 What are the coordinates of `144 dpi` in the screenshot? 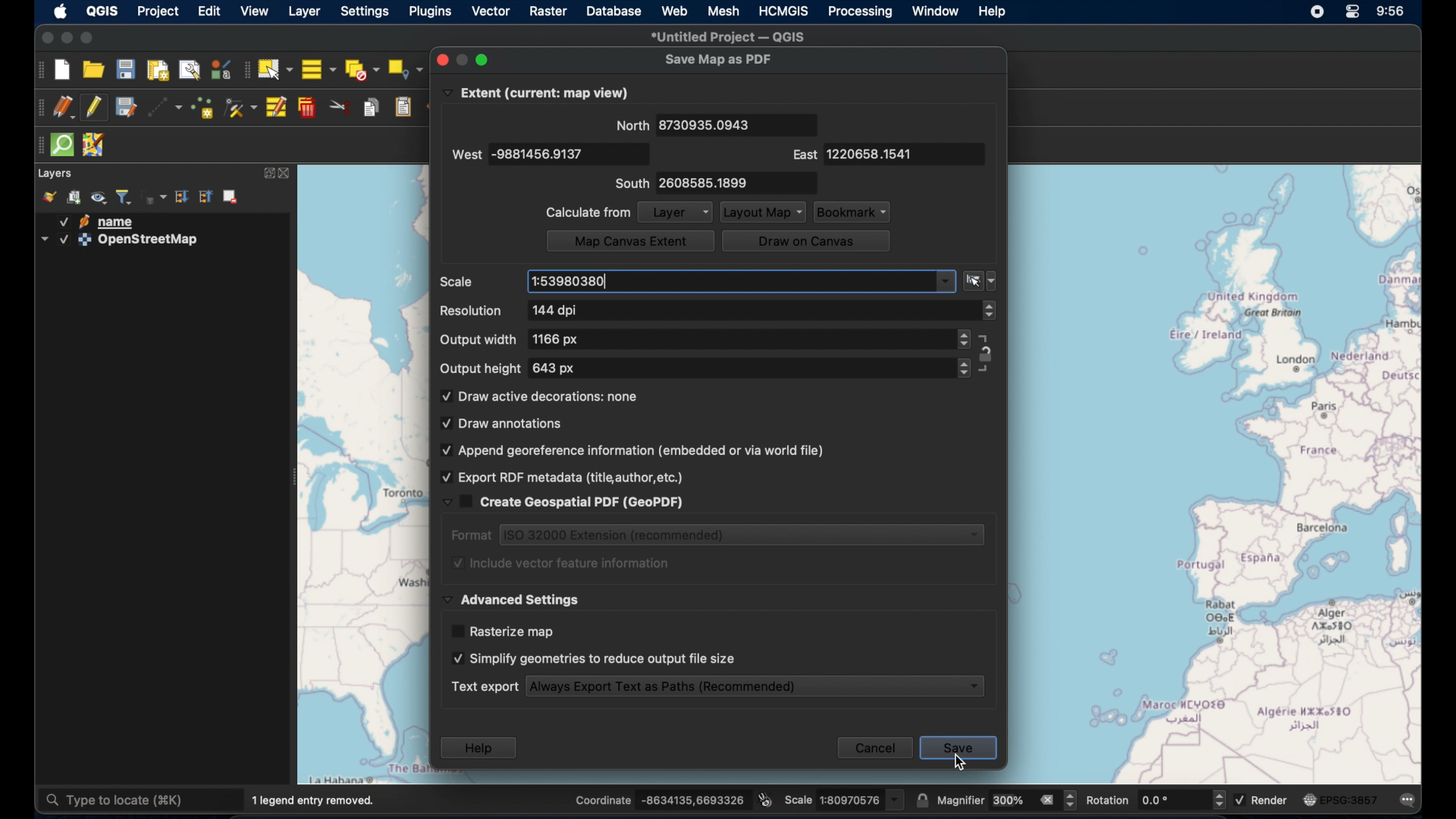 It's located at (555, 309).